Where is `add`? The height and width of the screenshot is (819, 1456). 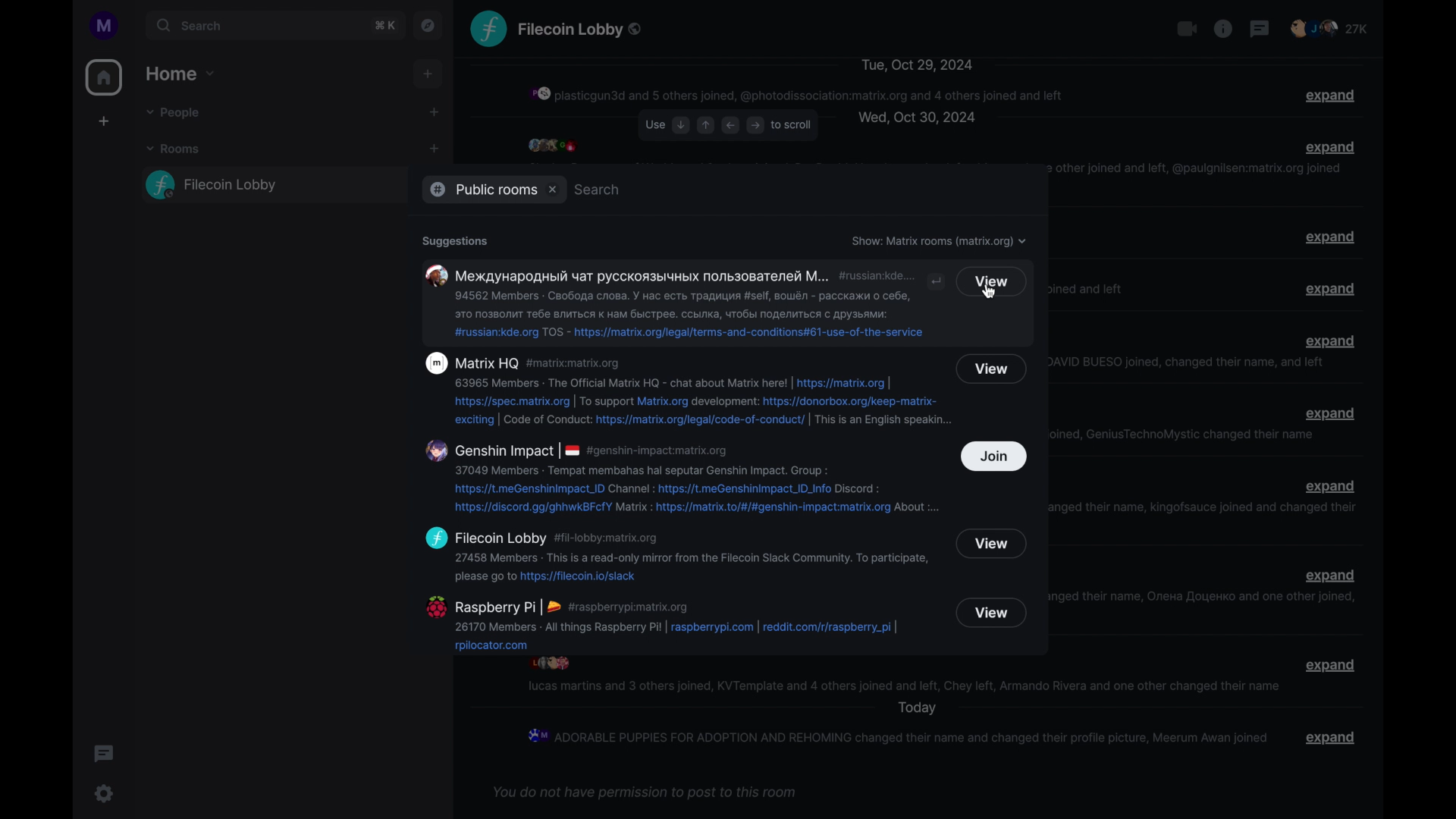 add is located at coordinates (435, 112).